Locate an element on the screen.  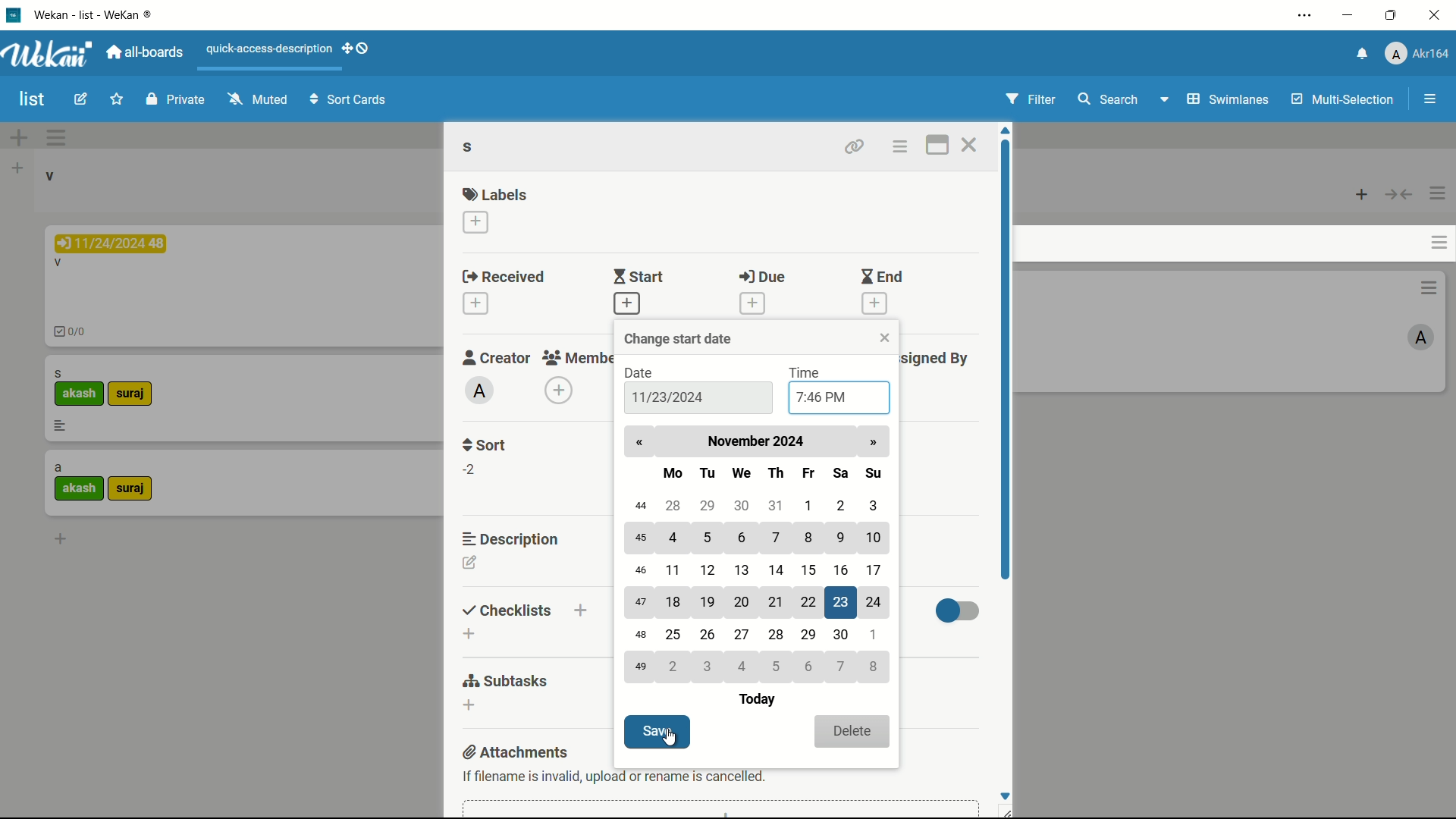
add list is located at coordinates (17, 169).